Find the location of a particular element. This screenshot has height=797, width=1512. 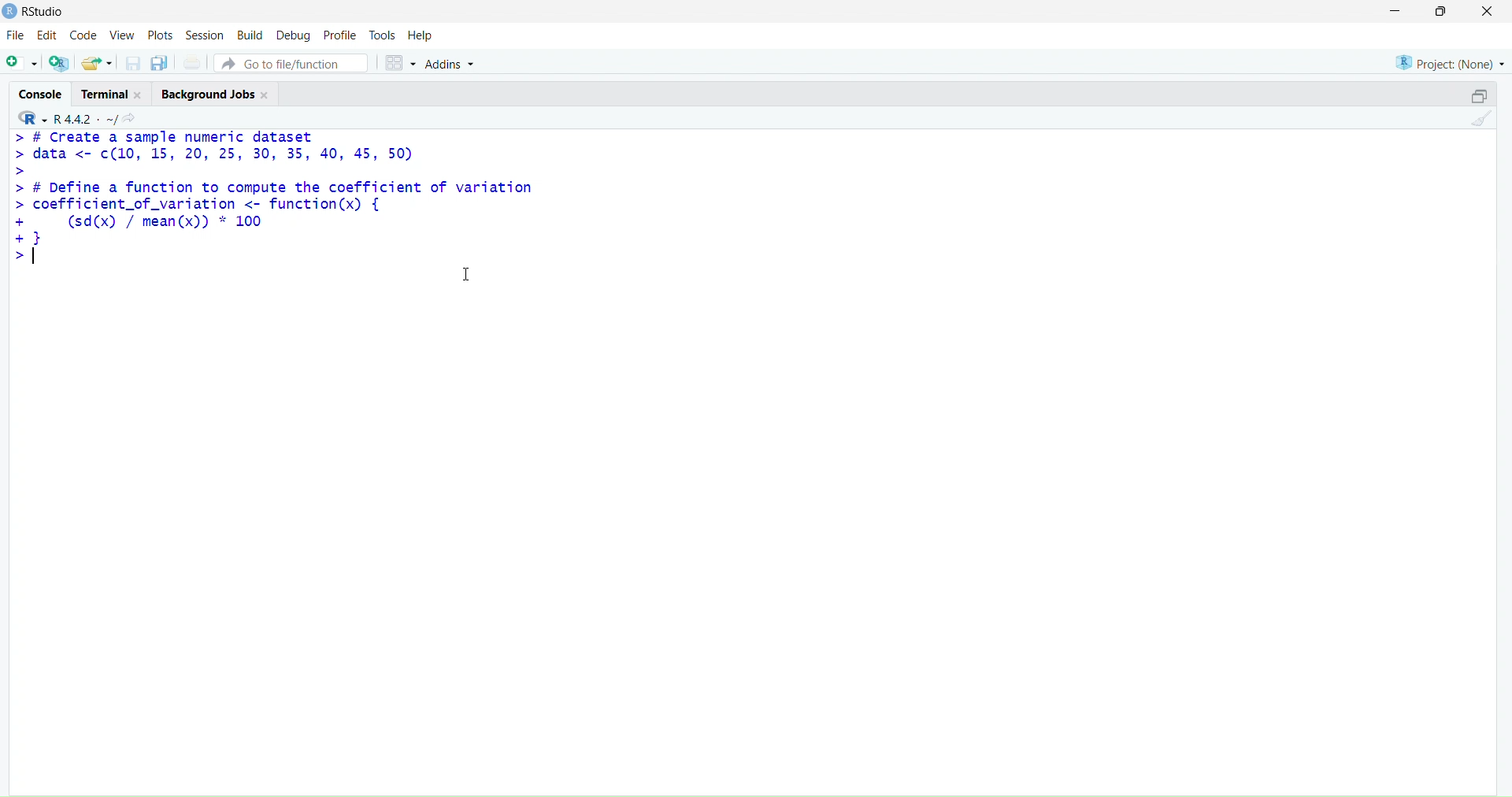

print is located at coordinates (193, 62).